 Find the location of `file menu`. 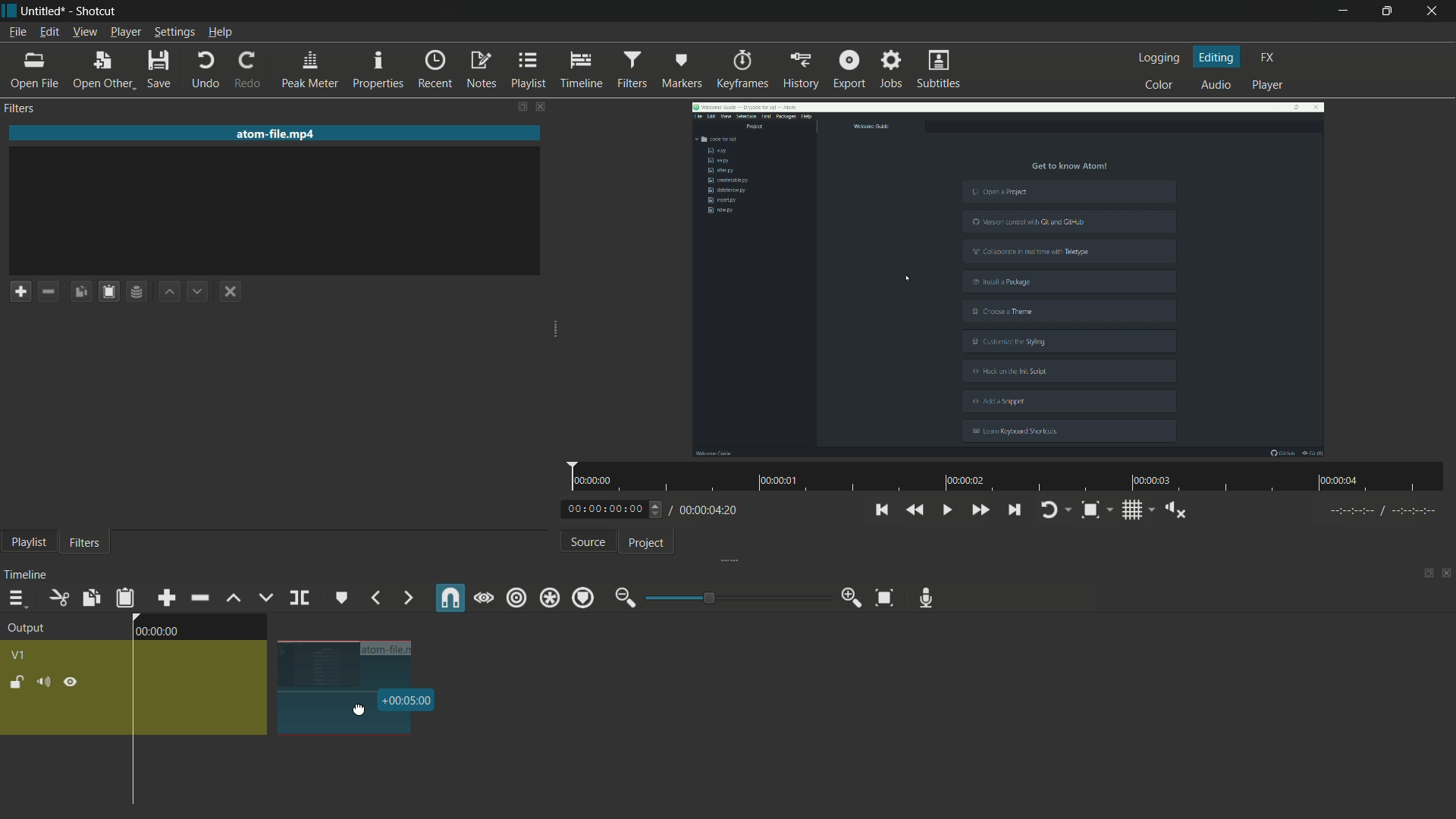

file menu is located at coordinates (17, 32).